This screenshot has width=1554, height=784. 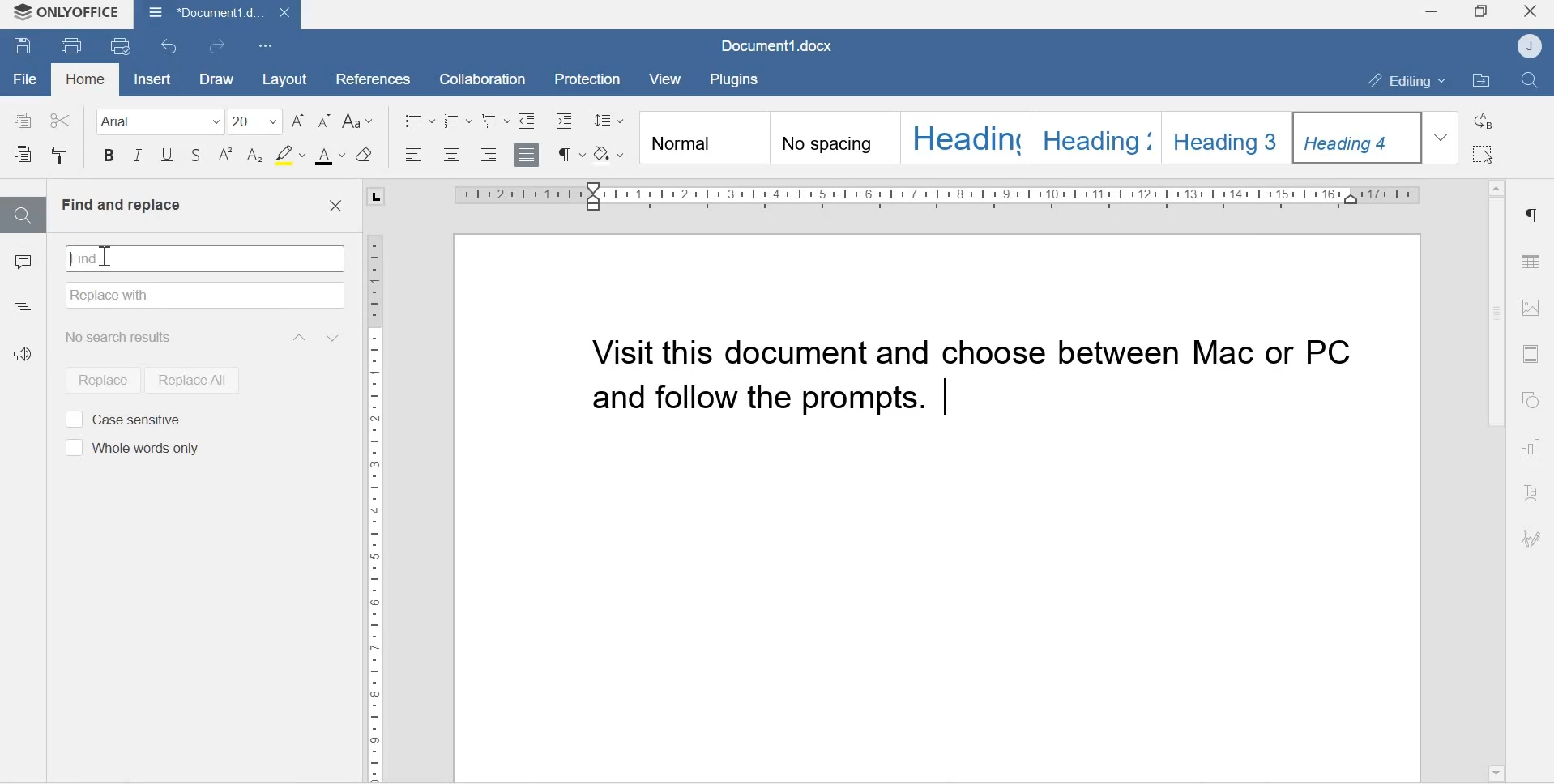 I want to click on Header & Footer, so click(x=1531, y=353).